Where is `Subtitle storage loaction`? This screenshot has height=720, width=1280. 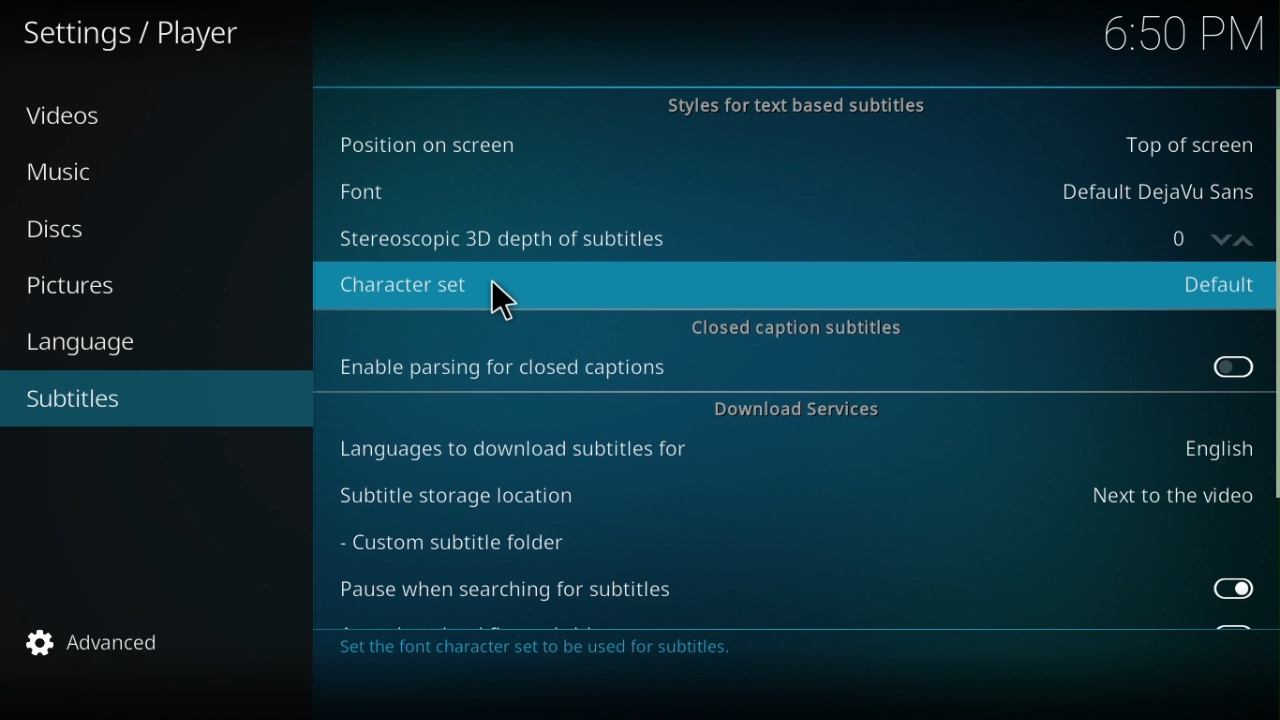
Subtitle storage loaction is located at coordinates (794, 496).